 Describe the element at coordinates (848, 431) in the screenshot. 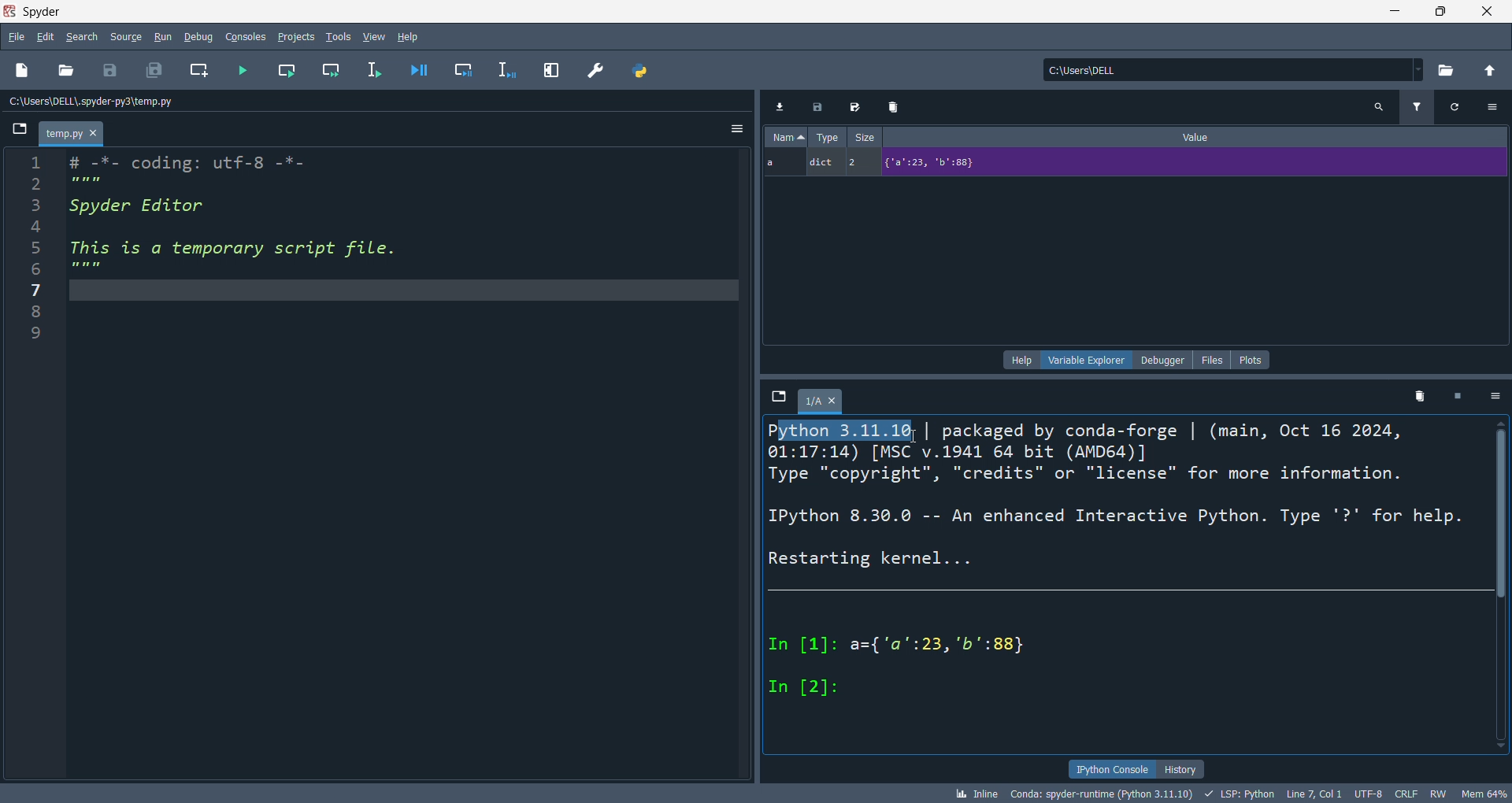

I see `selected text: ython 3.11.10` at that location.